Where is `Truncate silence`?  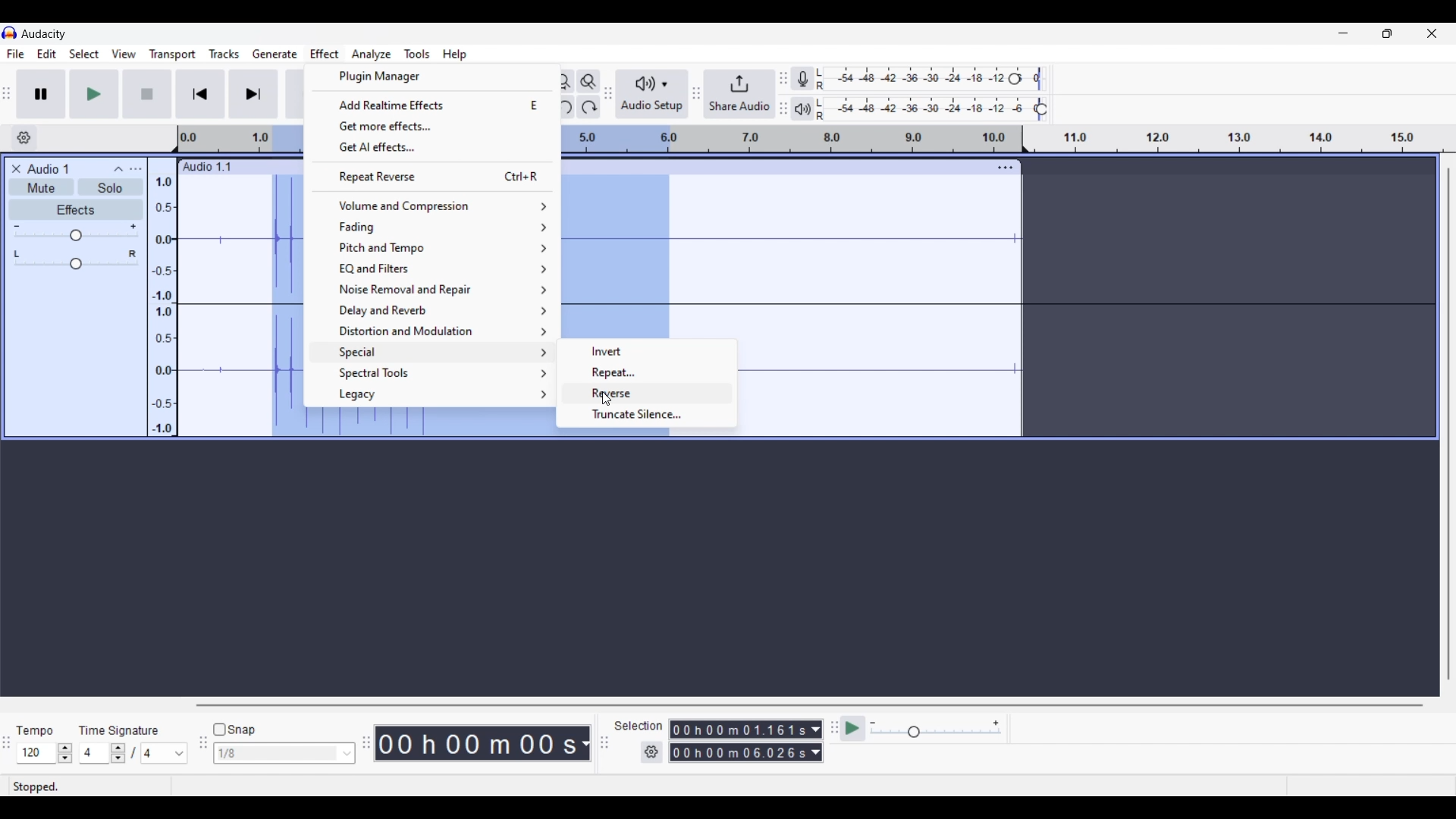
Truncate silence is located at coordinates (647, 414).